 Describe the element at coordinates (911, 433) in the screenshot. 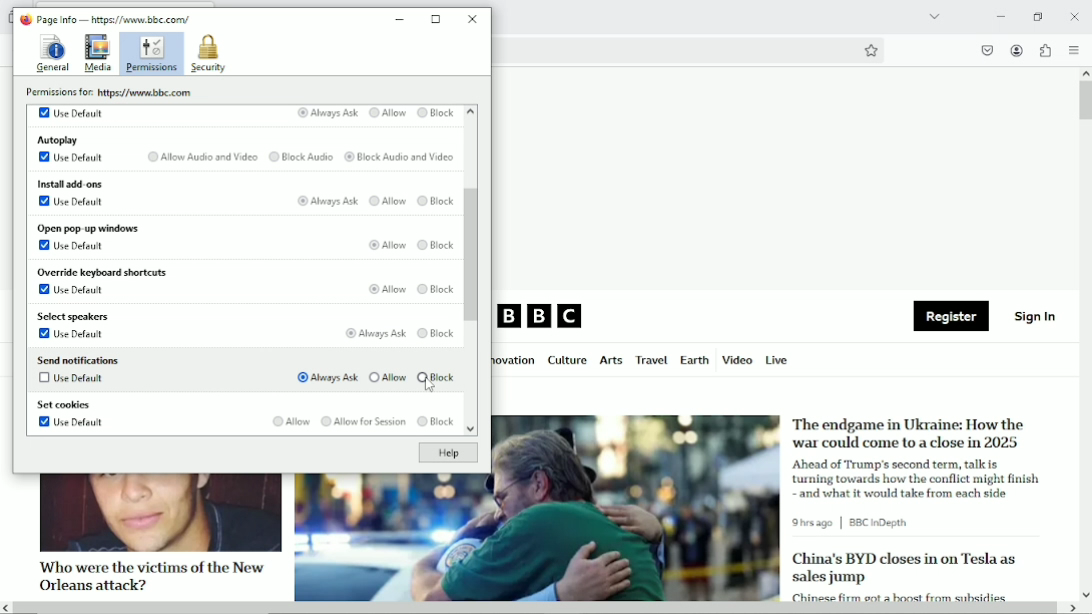

I see `The endgame in Ukraine: How the war could come to a close in 2025` at that location.